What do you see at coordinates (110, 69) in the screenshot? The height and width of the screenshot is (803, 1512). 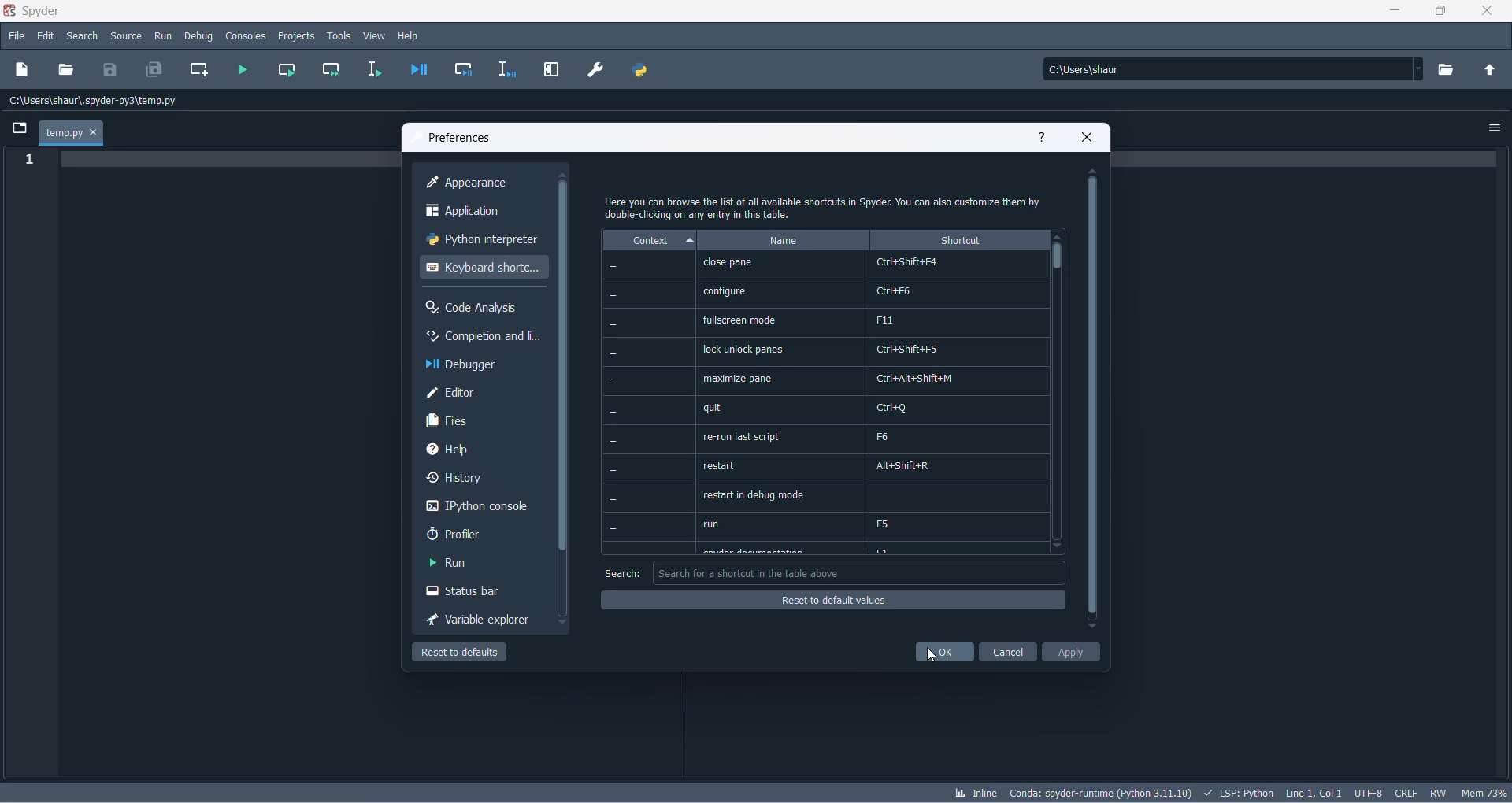 I see `save` at bounding box center [110, 69].